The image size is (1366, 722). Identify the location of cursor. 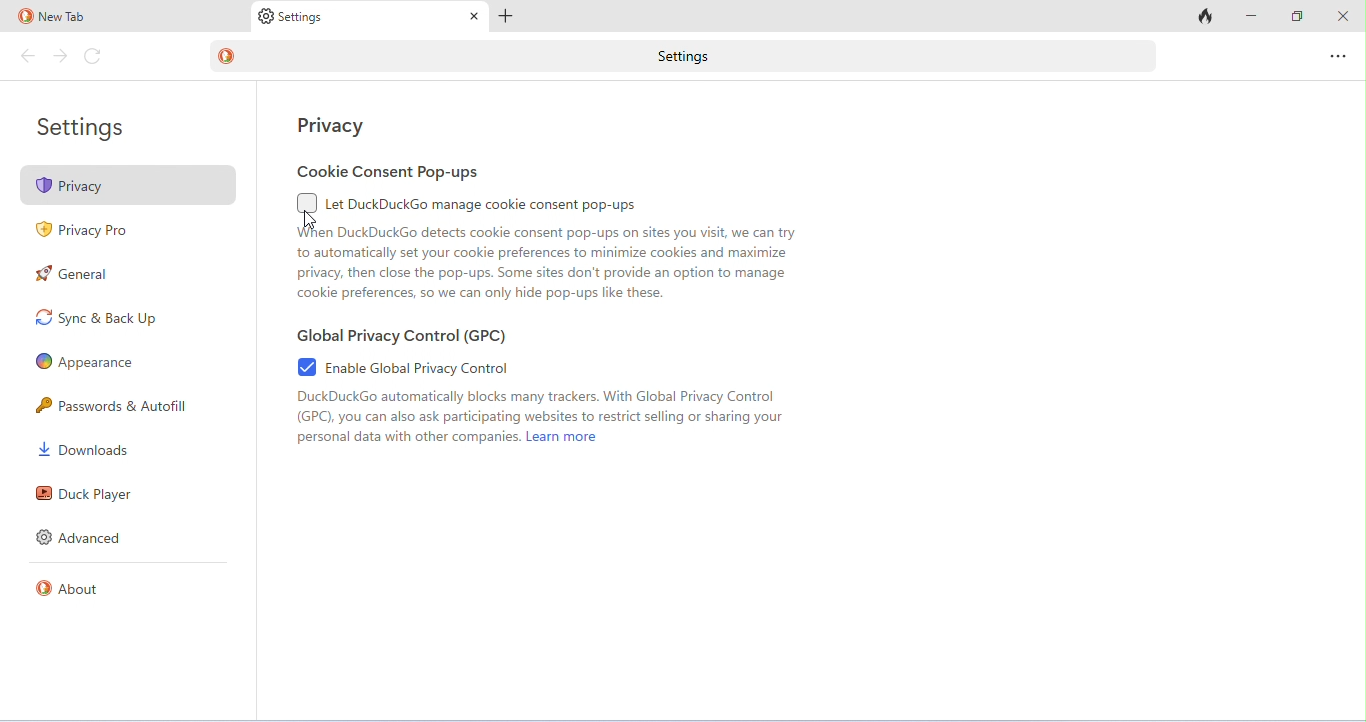
(312, 222).